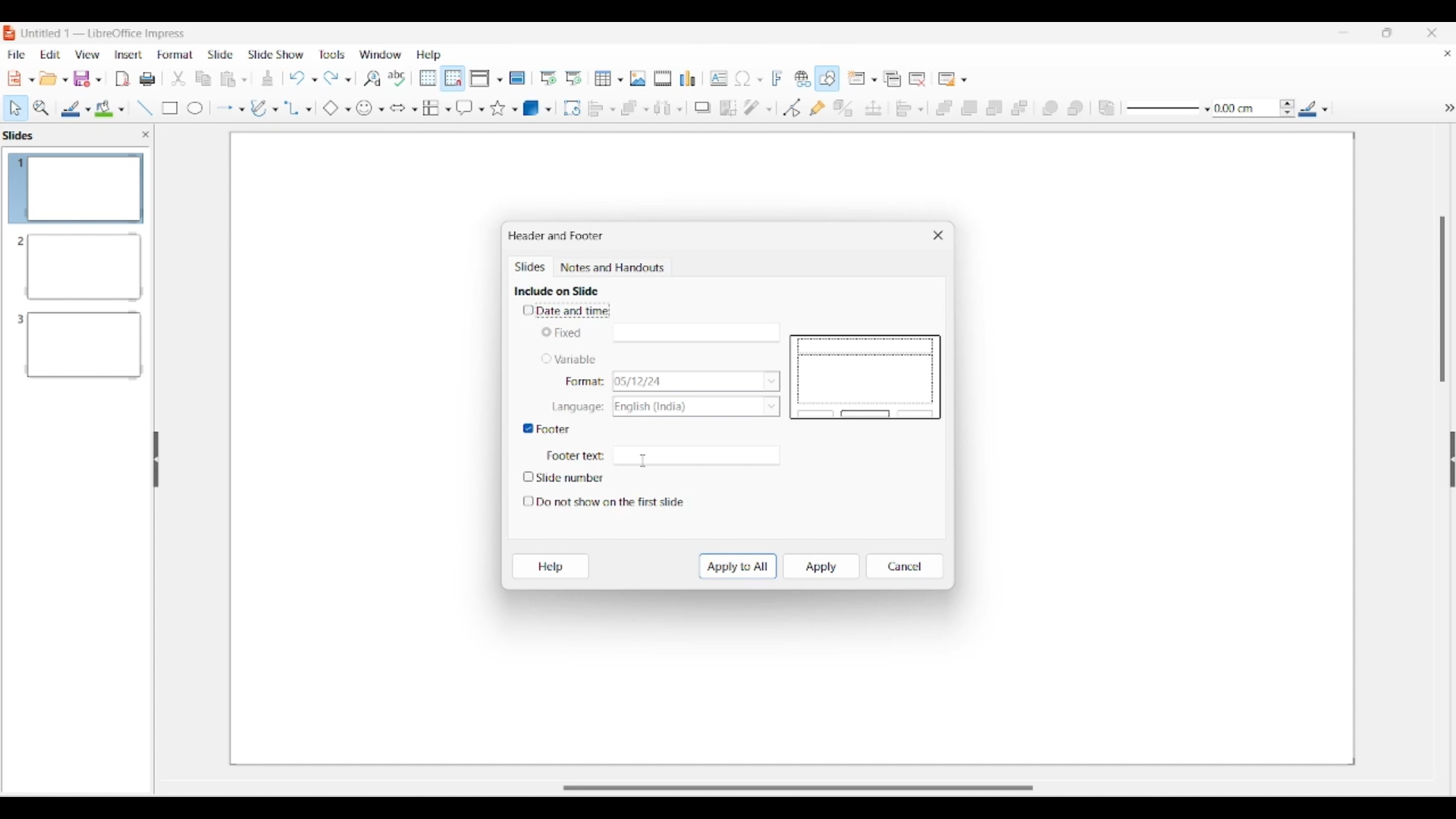 This screenshot has width=1456, height=819. Describe the element at coordinates (337, 108) in the screenshot. I see `Basic shape options` at that location.